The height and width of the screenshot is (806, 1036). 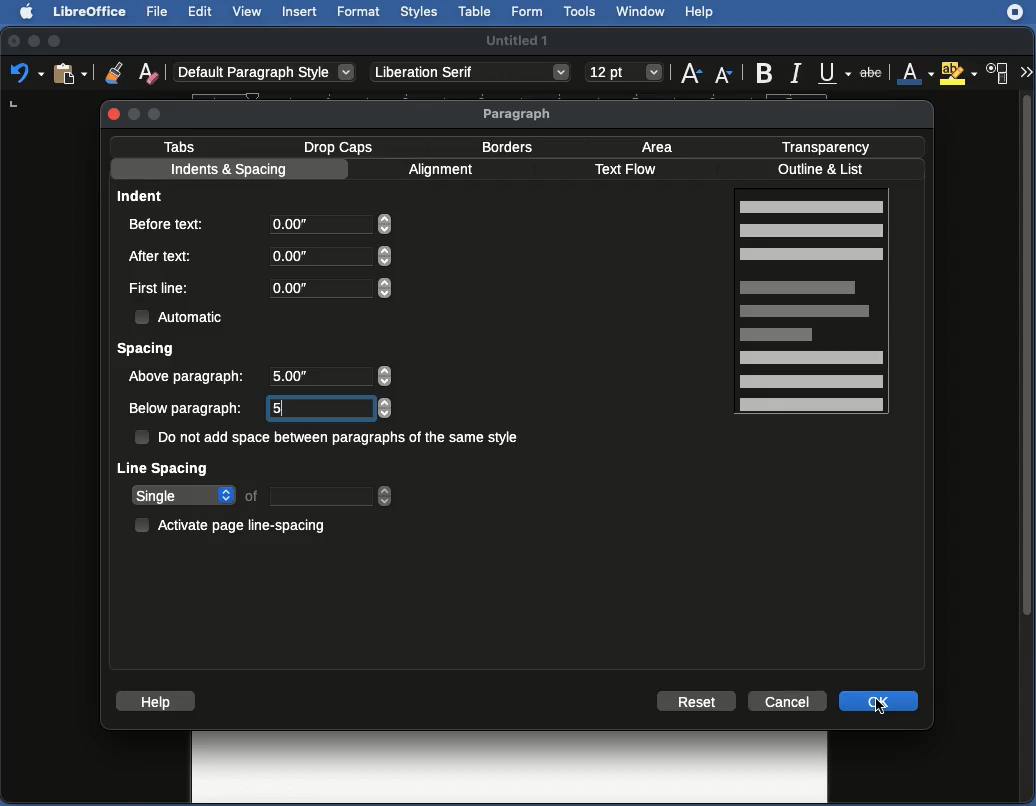 What do you see at coordinates (834, 73) in the screenshot?
I see `Underline` at bounding box center [834, 73].